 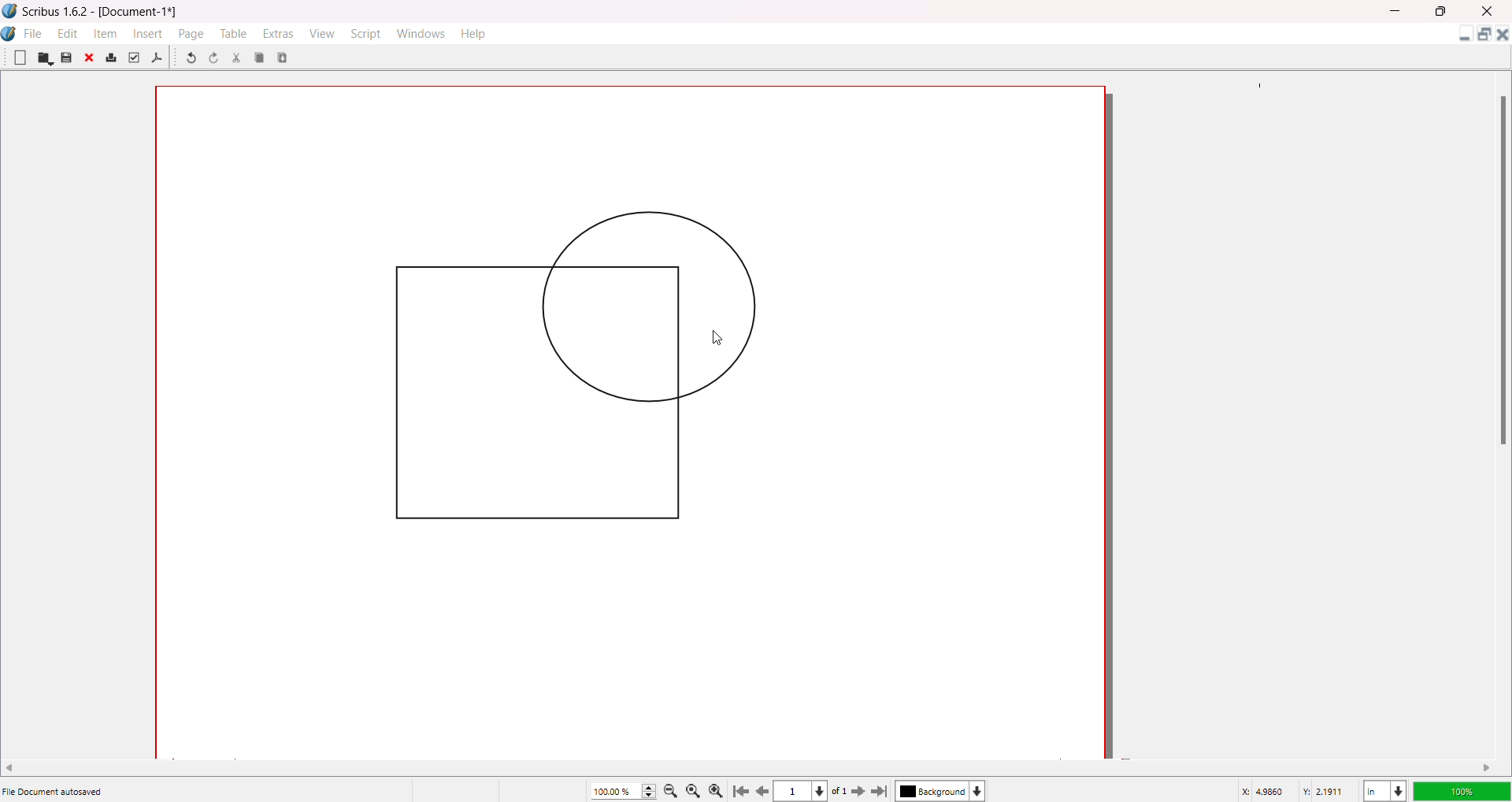 What do you see at coordinates (133, 58) in the screenshot?
I see `Preflight Verifier` at bounding box center [133, 58].